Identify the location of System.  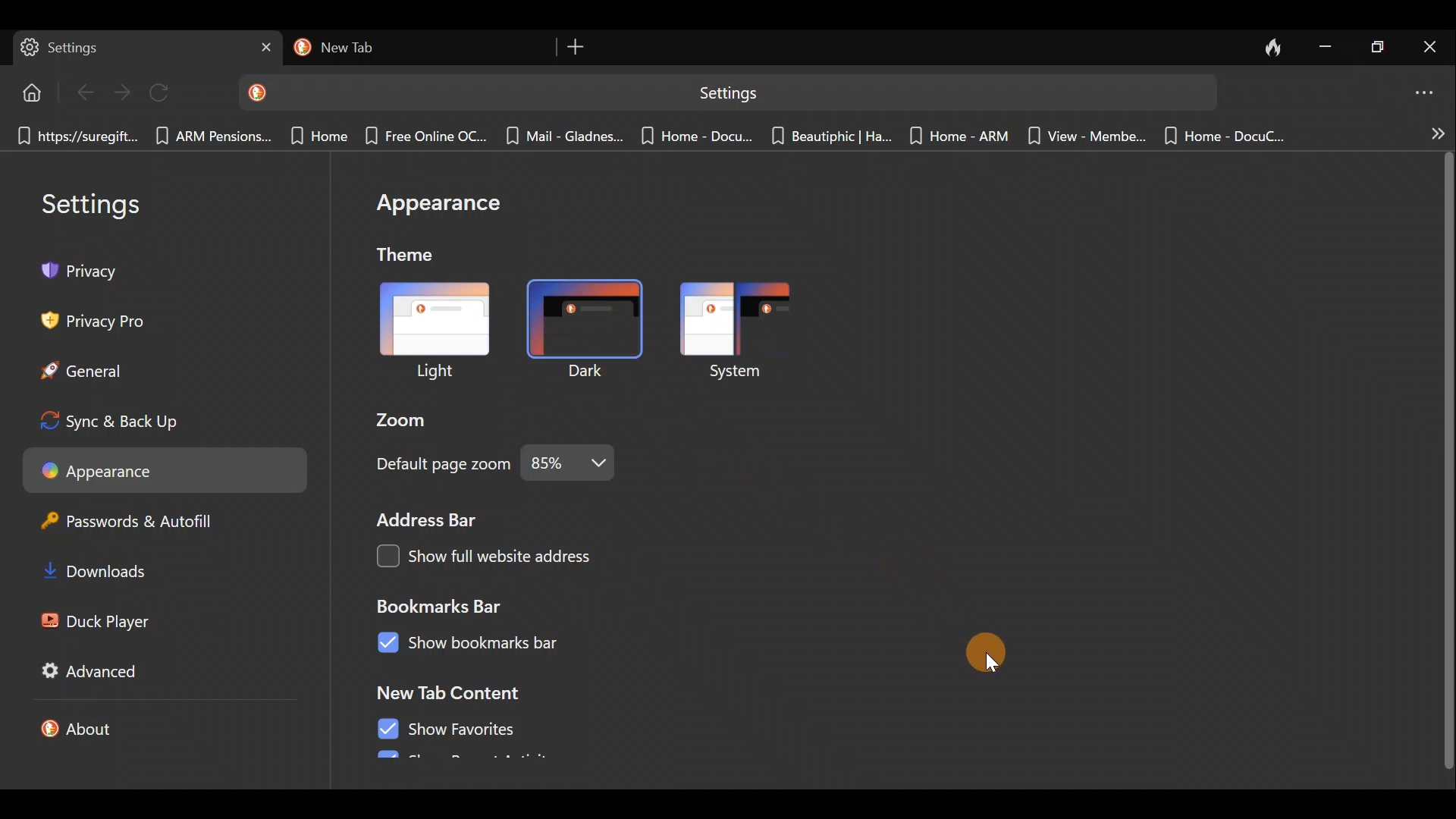
(749, 329).